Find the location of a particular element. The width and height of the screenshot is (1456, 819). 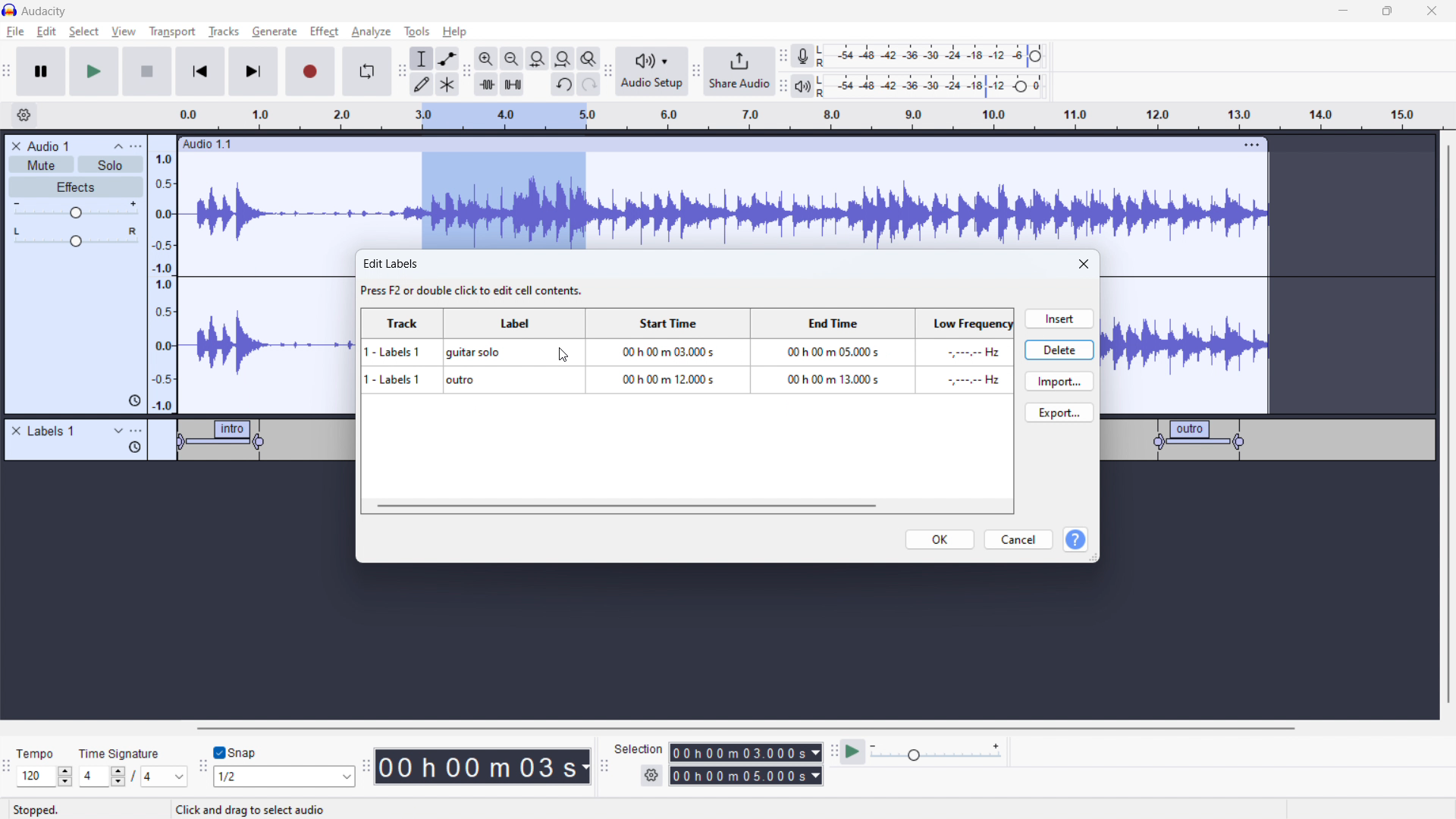

undo is located at coordinates (563, 86).